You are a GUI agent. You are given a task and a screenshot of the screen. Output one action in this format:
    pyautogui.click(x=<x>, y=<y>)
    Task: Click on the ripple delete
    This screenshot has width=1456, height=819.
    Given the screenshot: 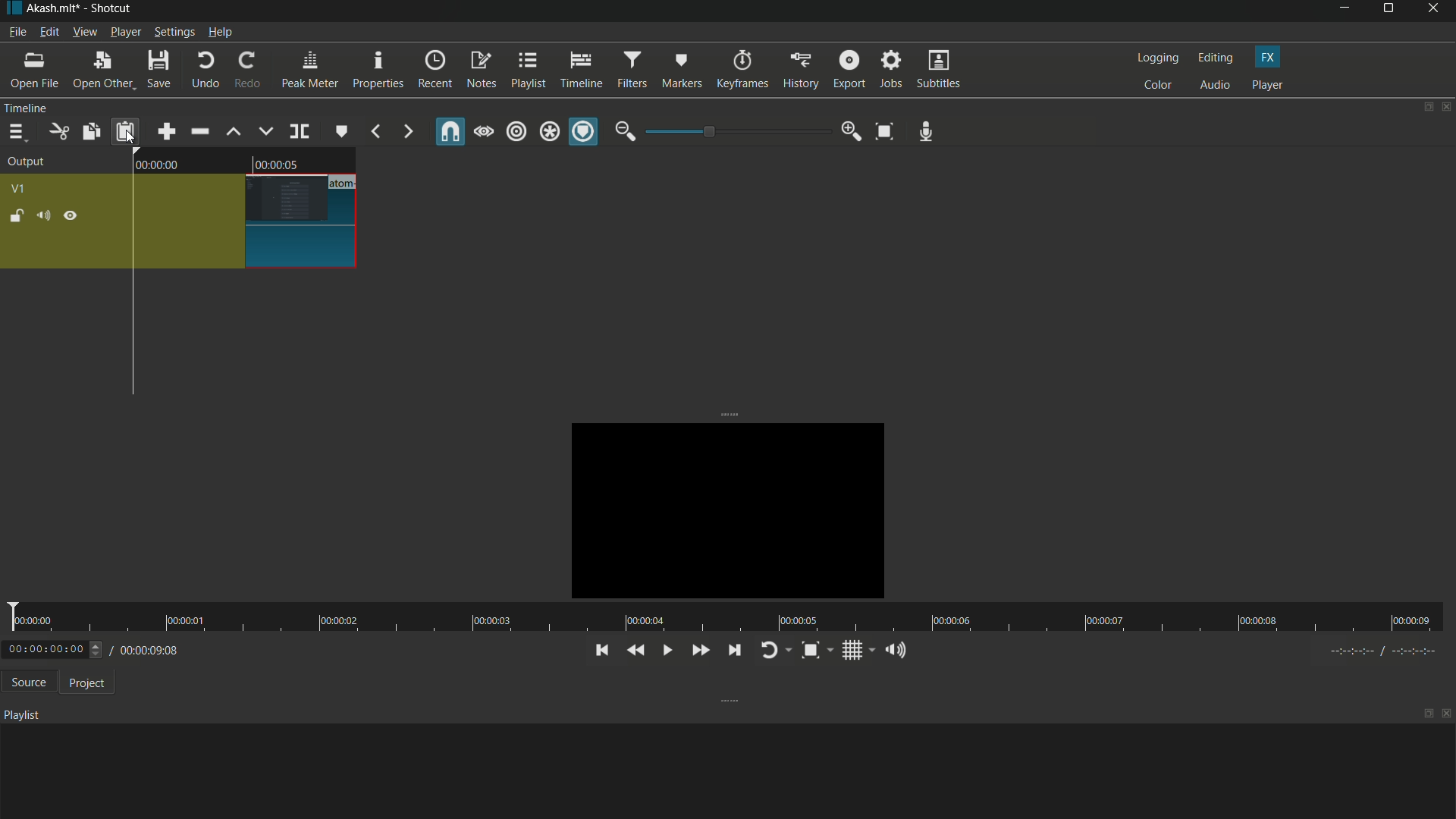 What is the action you would take?
    pyautogui.click(x=199, y=131)
    